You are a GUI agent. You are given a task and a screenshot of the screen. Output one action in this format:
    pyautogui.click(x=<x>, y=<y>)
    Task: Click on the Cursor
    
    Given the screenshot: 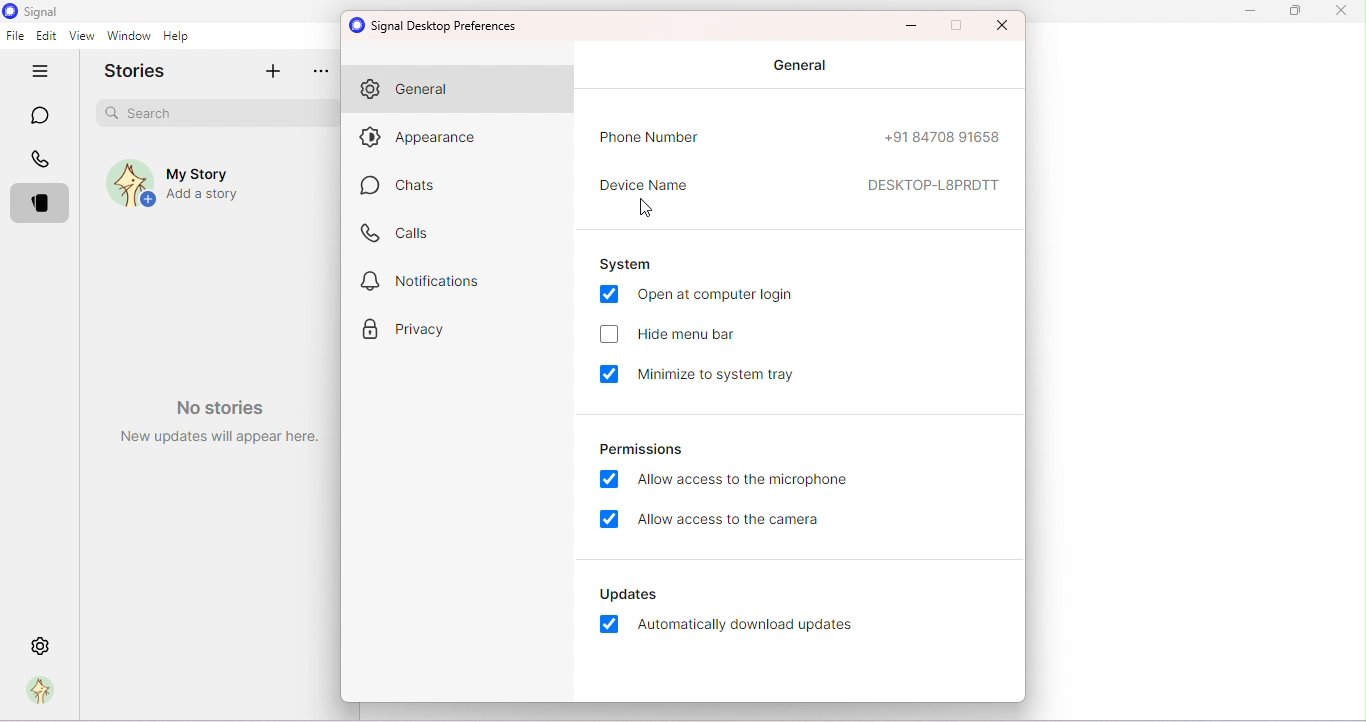 What is the action you would take?
    pyautogui.click(x=651, y=211)
    